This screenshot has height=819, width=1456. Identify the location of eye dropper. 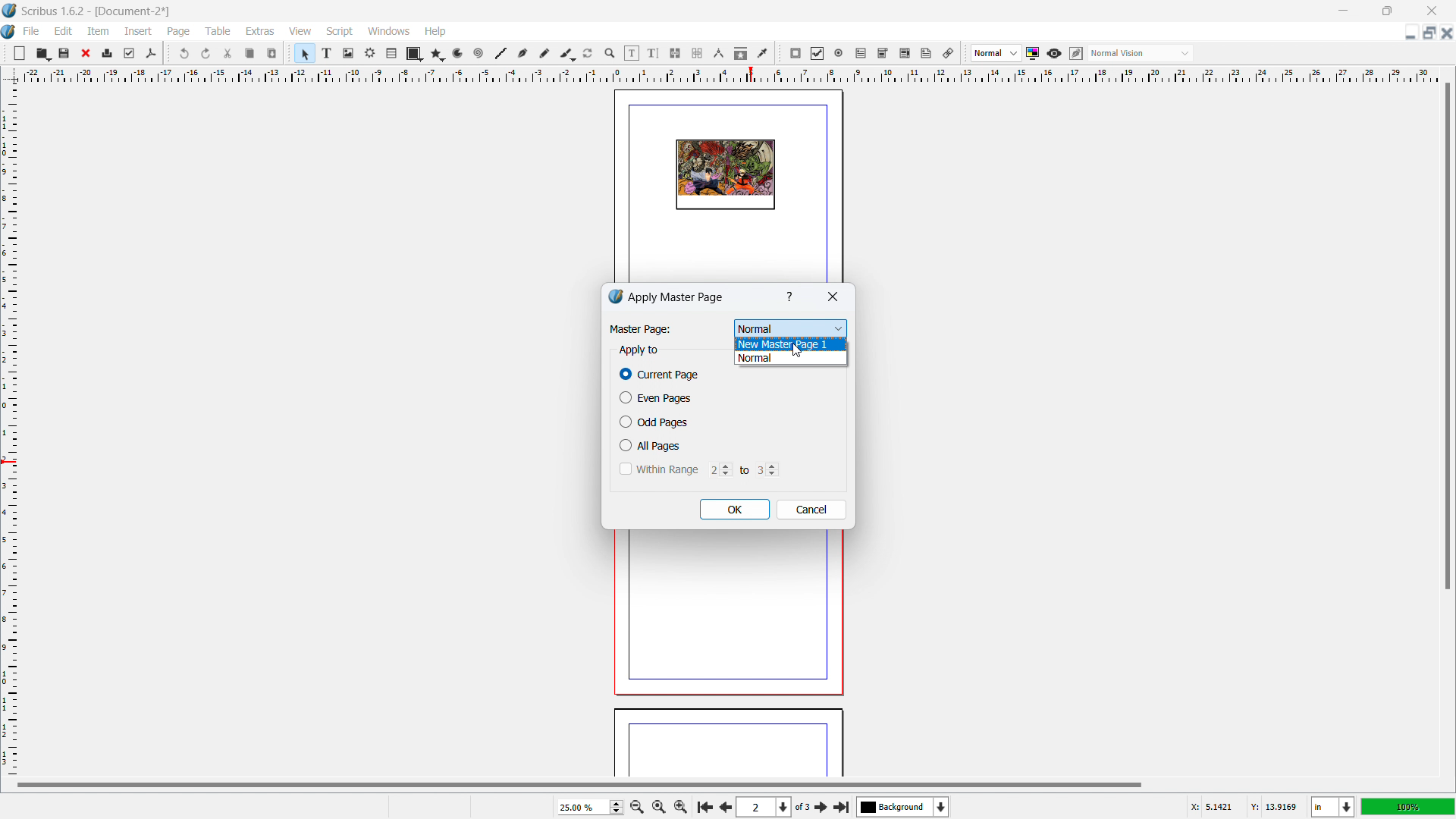
(764, 52).